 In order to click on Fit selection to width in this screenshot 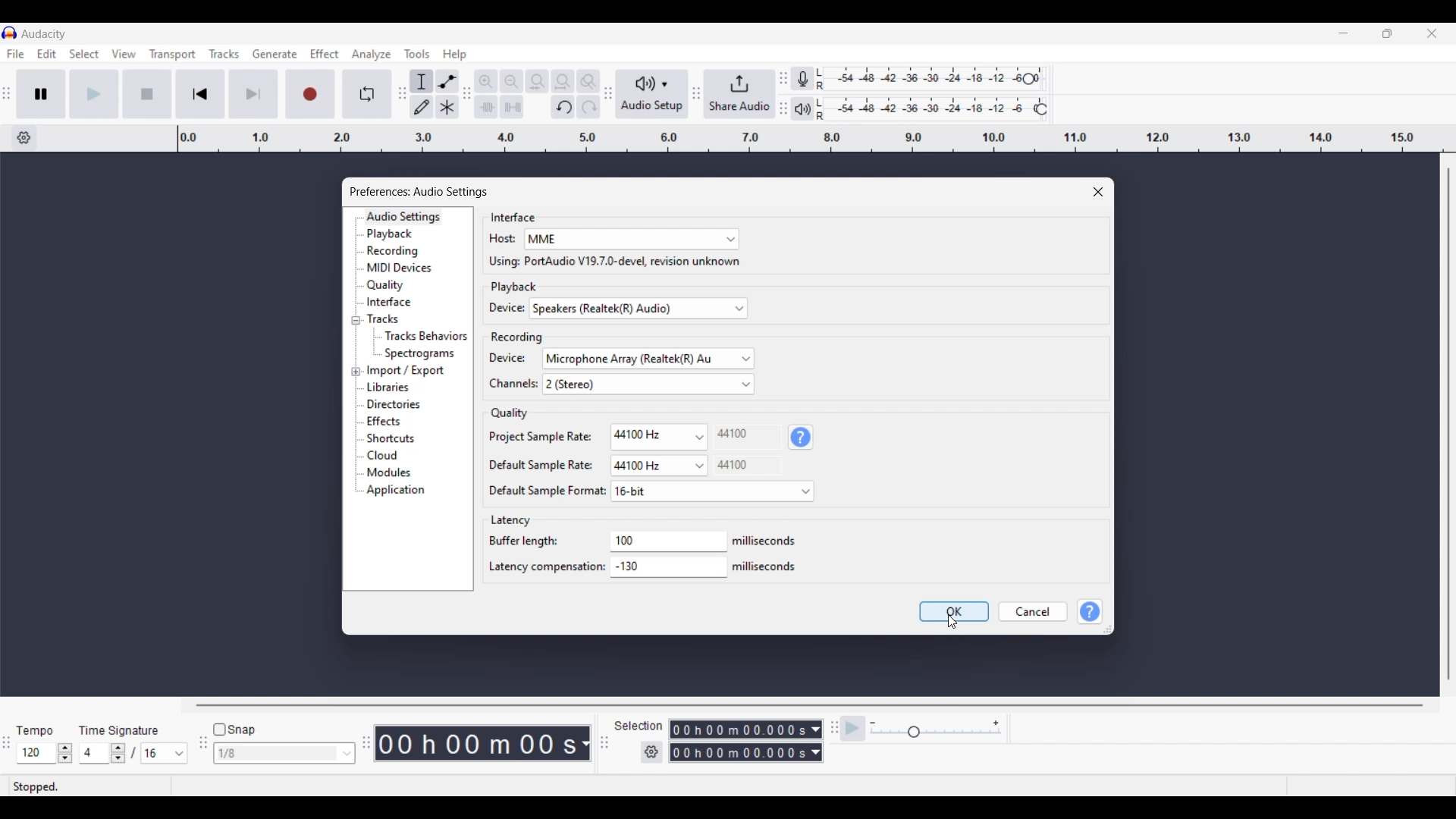, I will do `click(537, 82)`.